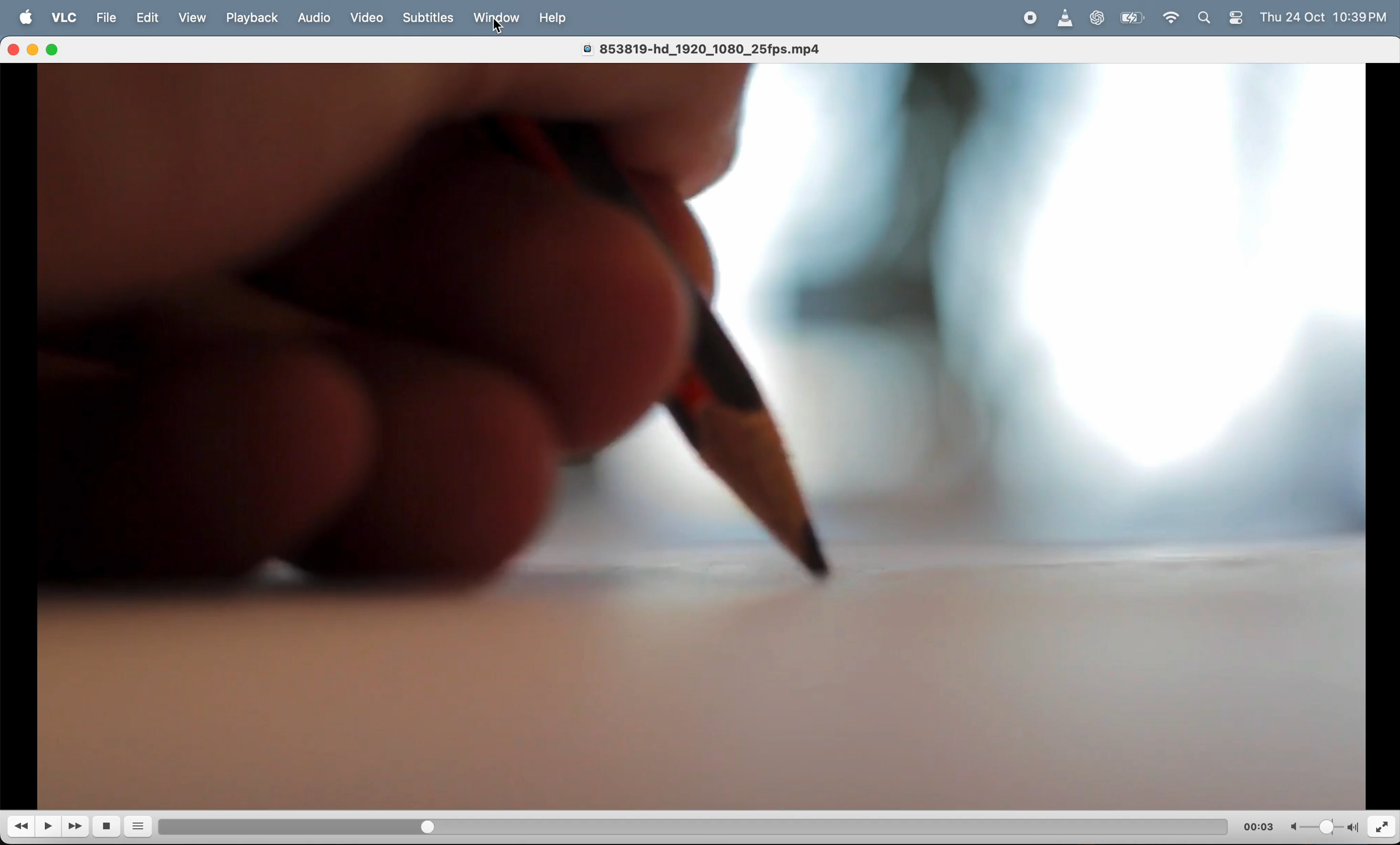 The width and height of the screenshot is (1400, 845). Describe the element at coordinates (63, 19) in the screenshot. I see `vlc menu` at that location.